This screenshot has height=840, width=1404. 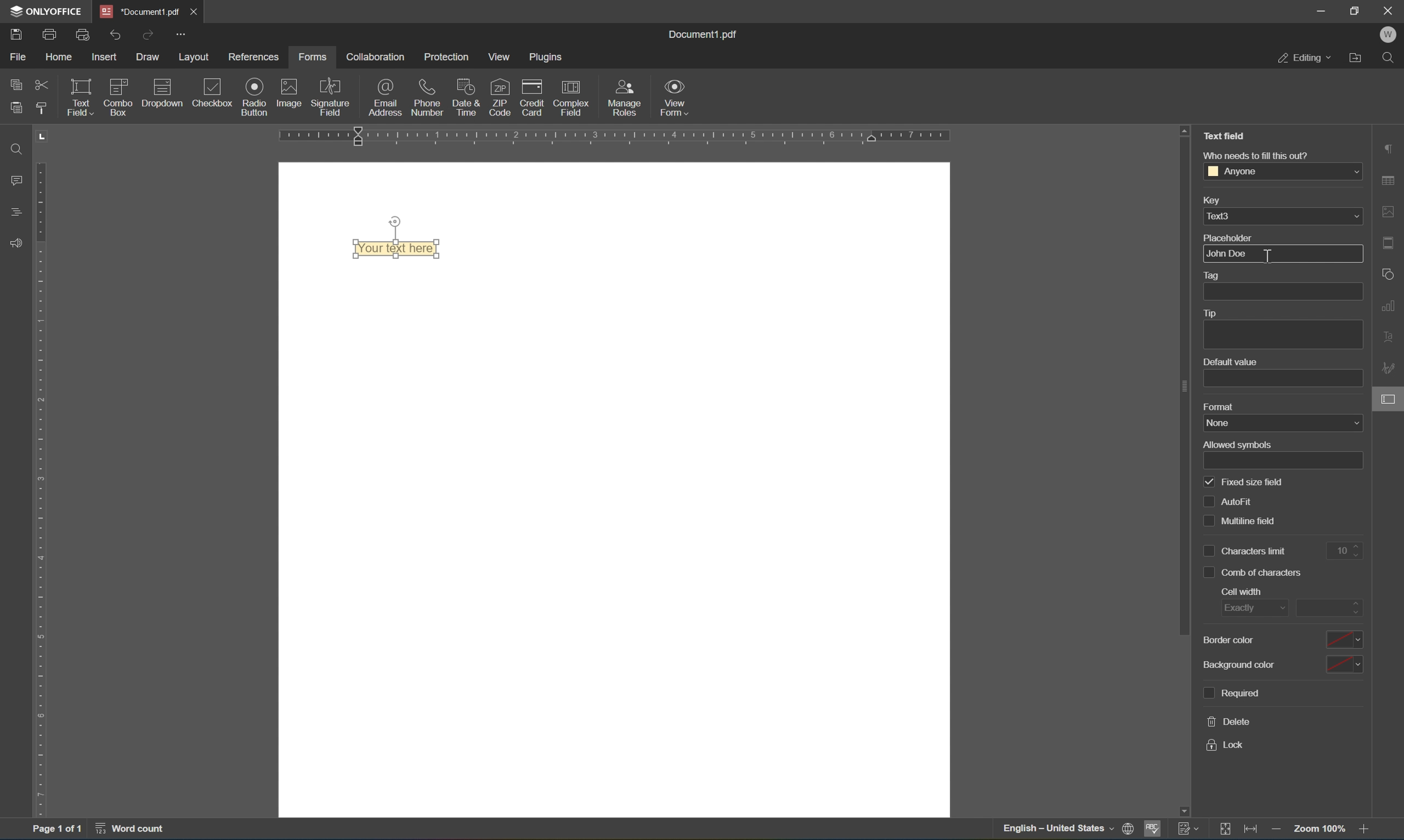 I want to click on cursor, so click(x=1390, y=401).